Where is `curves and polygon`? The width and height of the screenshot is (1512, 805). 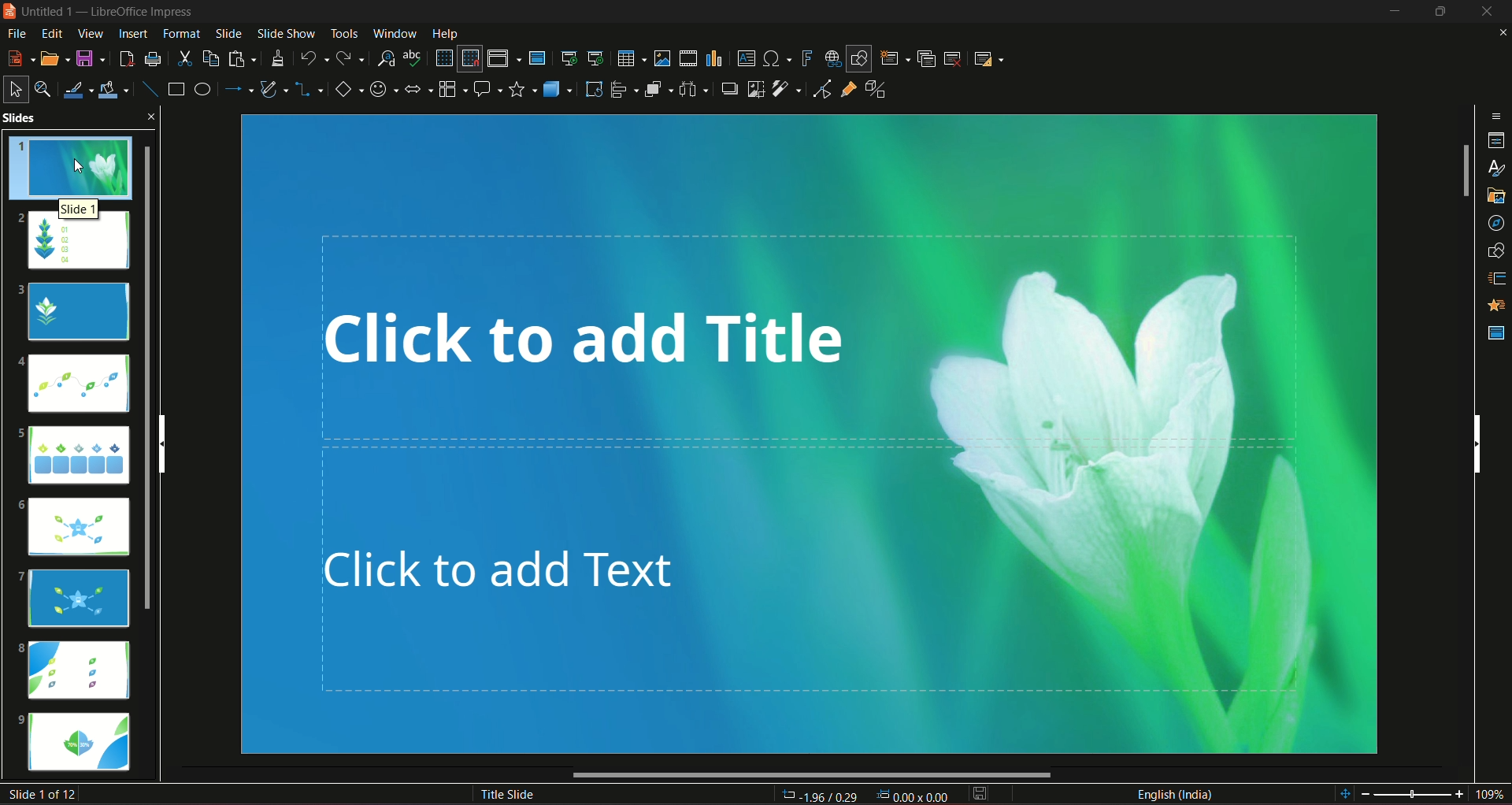
curves and polygon is located at coordinates (276, 91).